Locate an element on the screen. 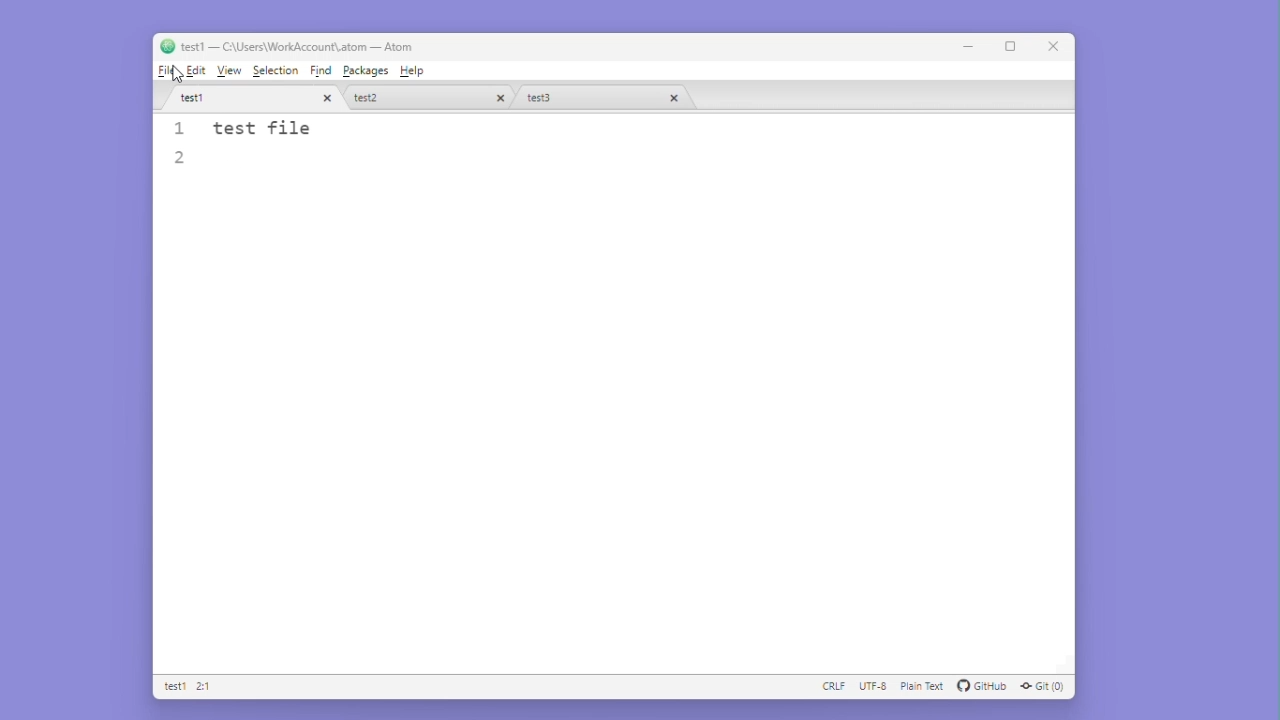  2:1 is located at coordinates (207, 686).